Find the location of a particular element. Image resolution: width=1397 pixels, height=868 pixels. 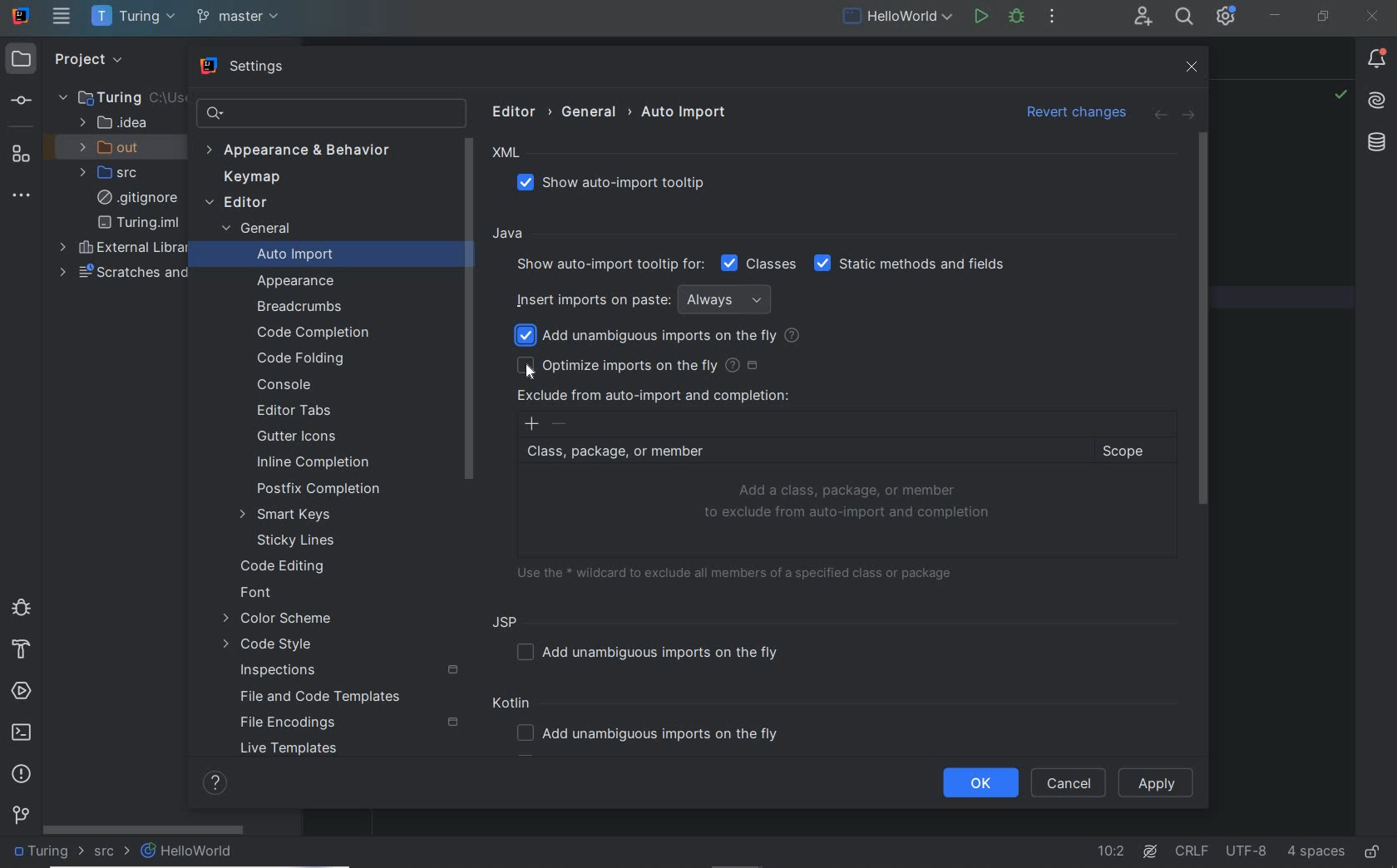

main menu is located at coordinates (62, 16).